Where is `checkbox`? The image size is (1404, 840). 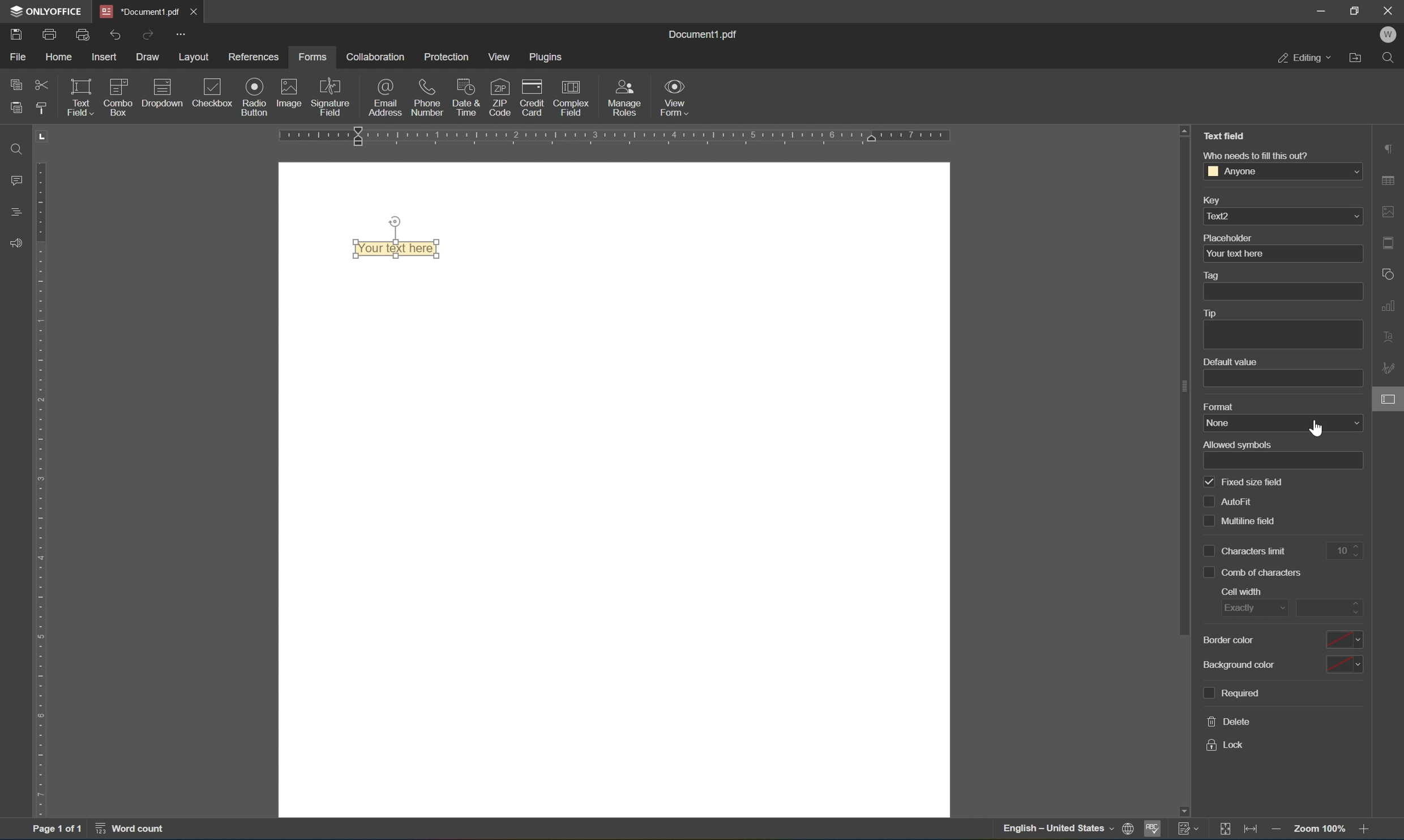 checkbox is located at coordinates (214, 92).